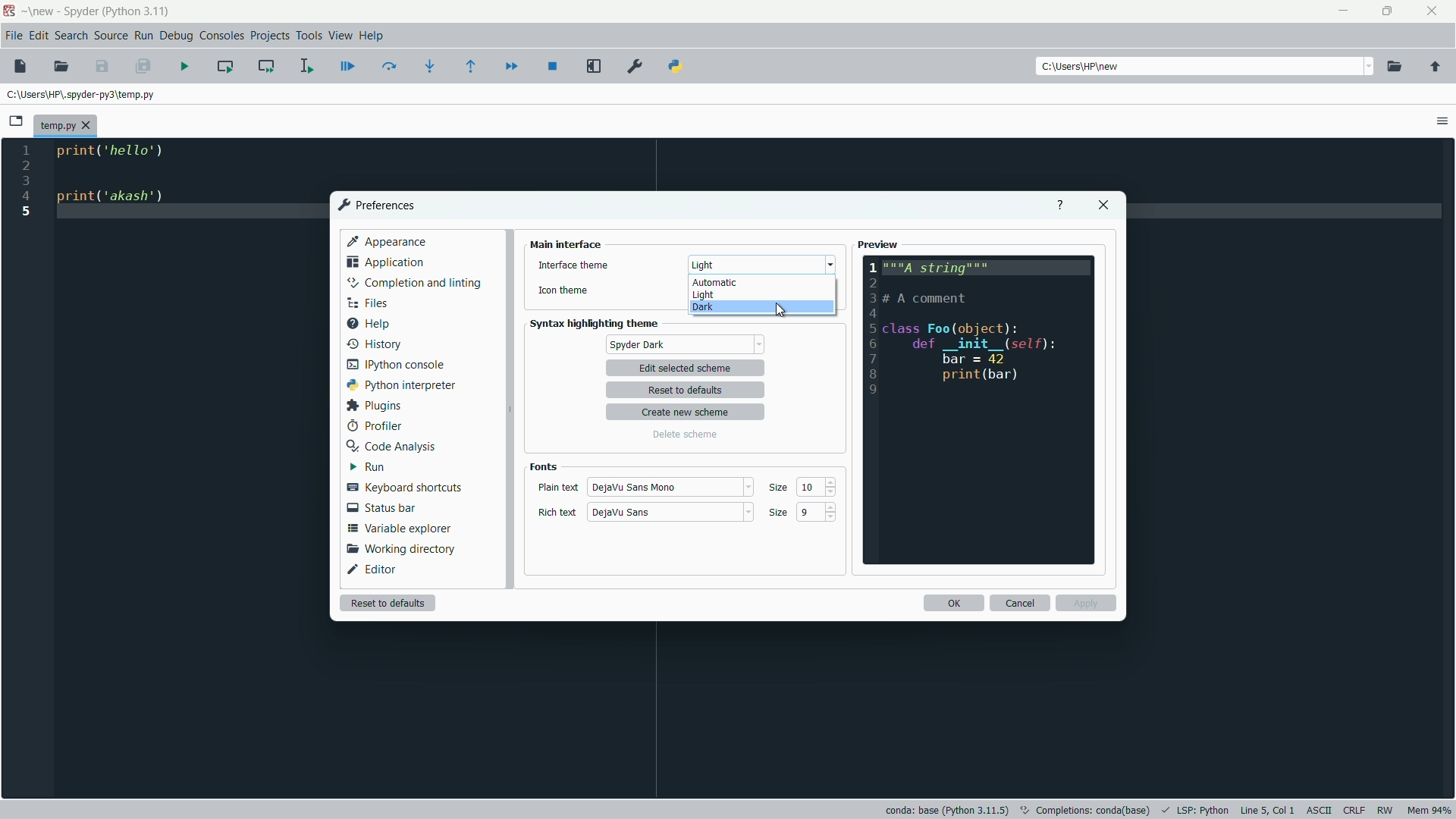 The image size is (1456, 819). What do you see at coordinates (809, 513) in the screenshot?
I see `9` at bounding box center [809, 513].